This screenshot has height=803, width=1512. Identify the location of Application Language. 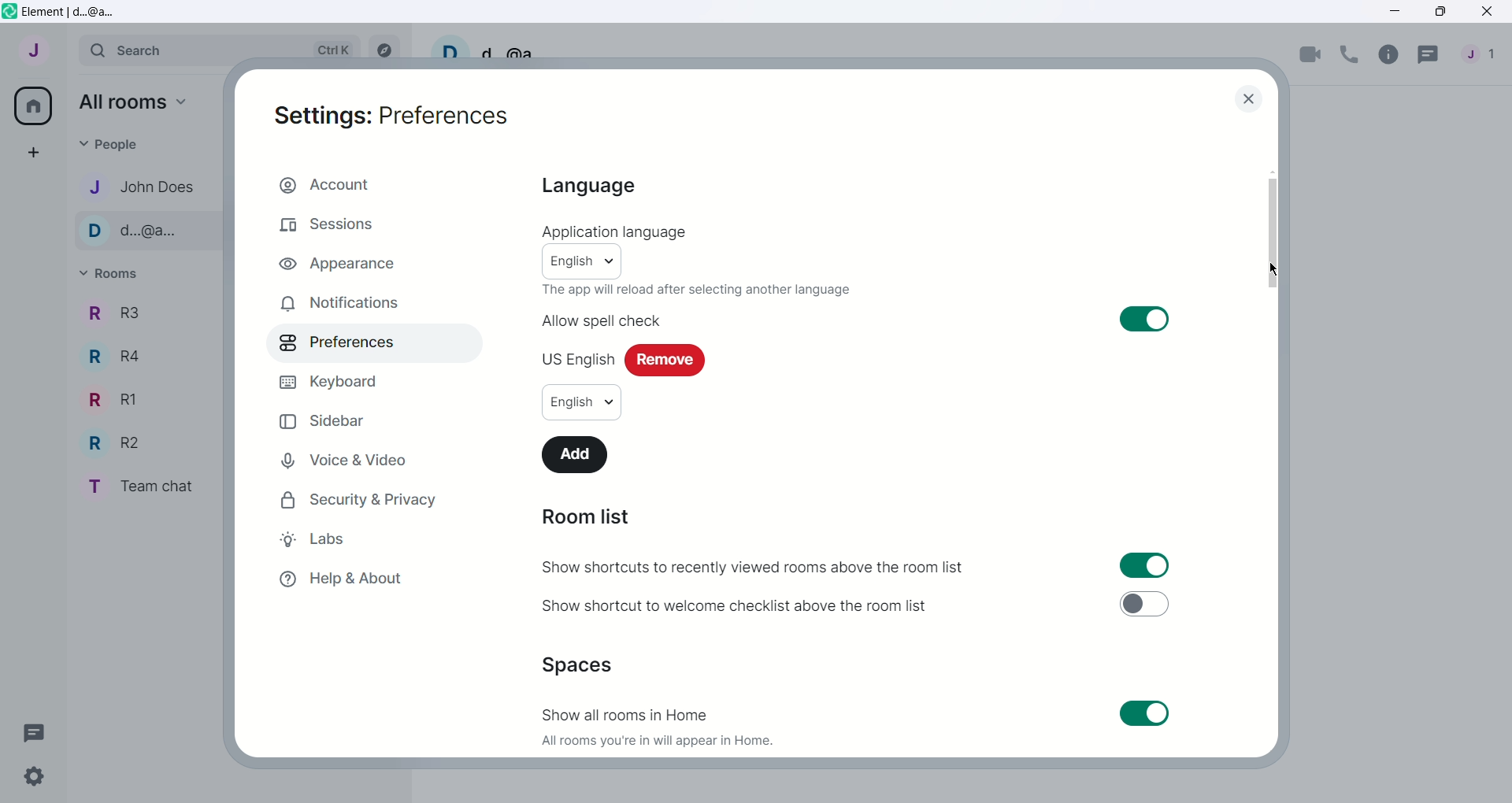
(617, 232).